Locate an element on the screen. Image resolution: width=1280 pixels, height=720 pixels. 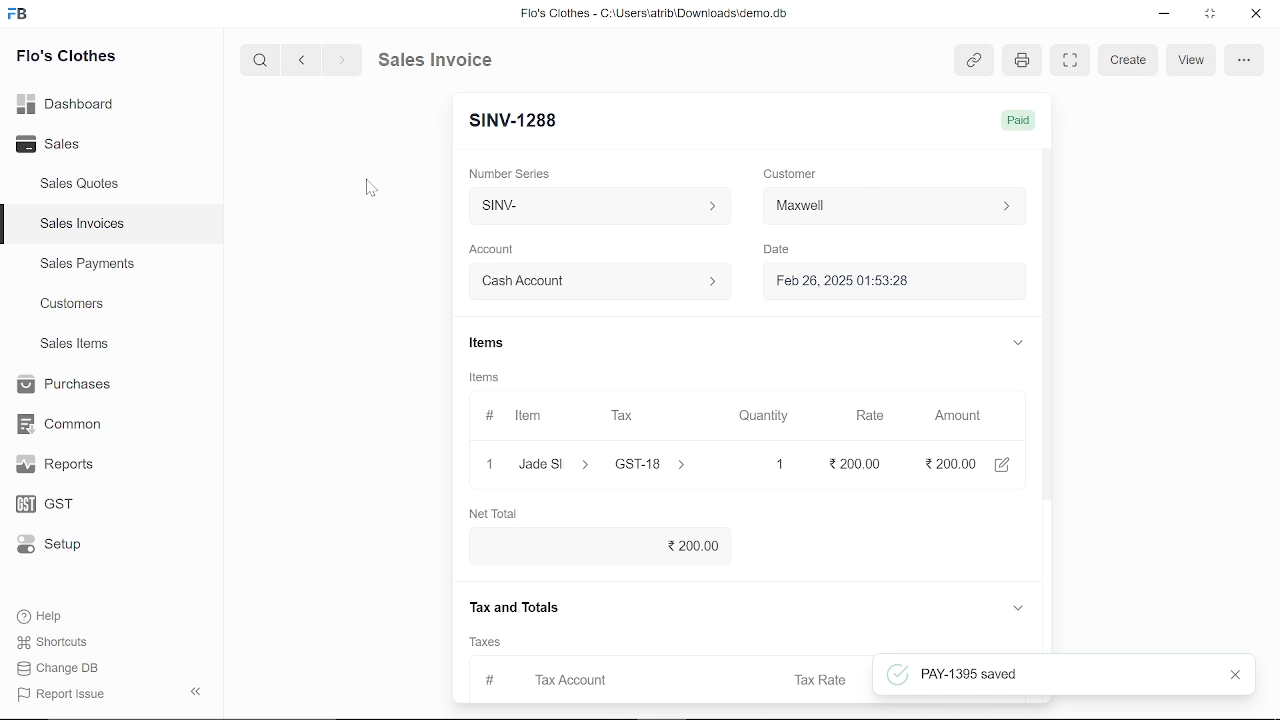
expand is located at coordinates (1016, 341).